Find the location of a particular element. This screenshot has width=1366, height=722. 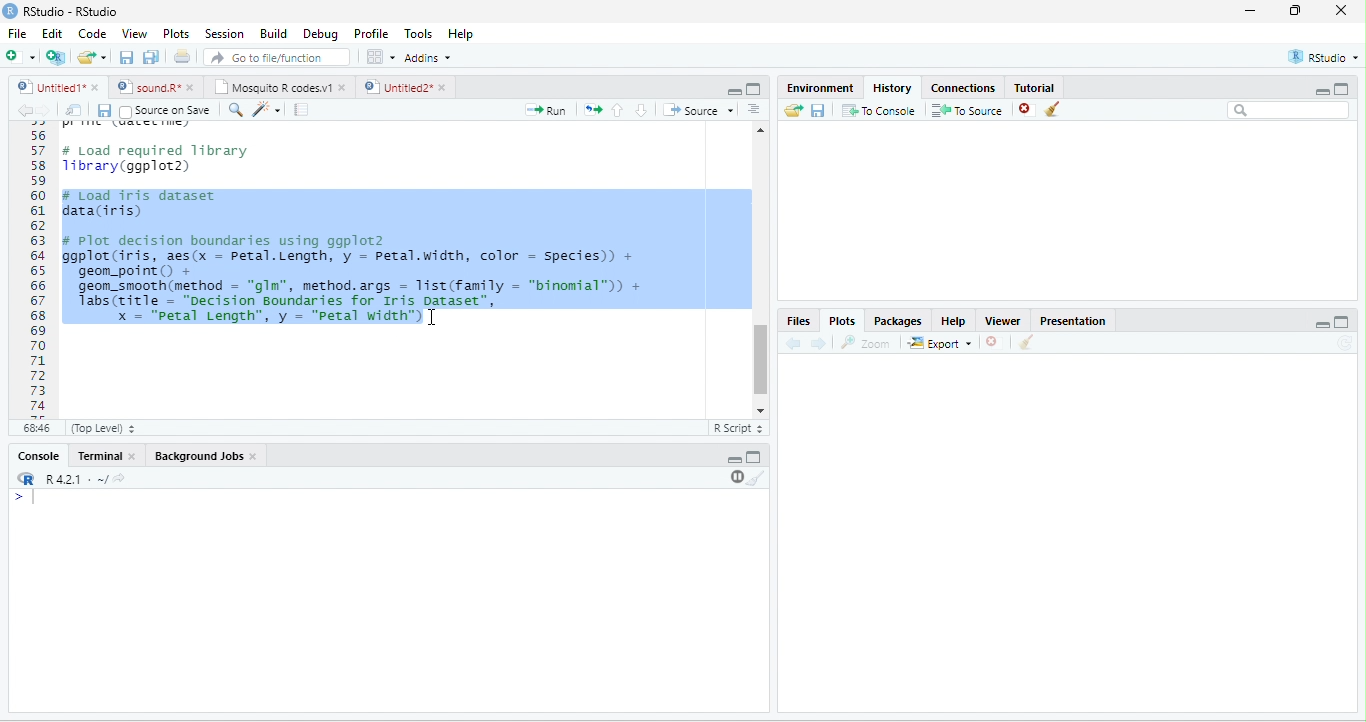

search is located at coordinates (234, 110).